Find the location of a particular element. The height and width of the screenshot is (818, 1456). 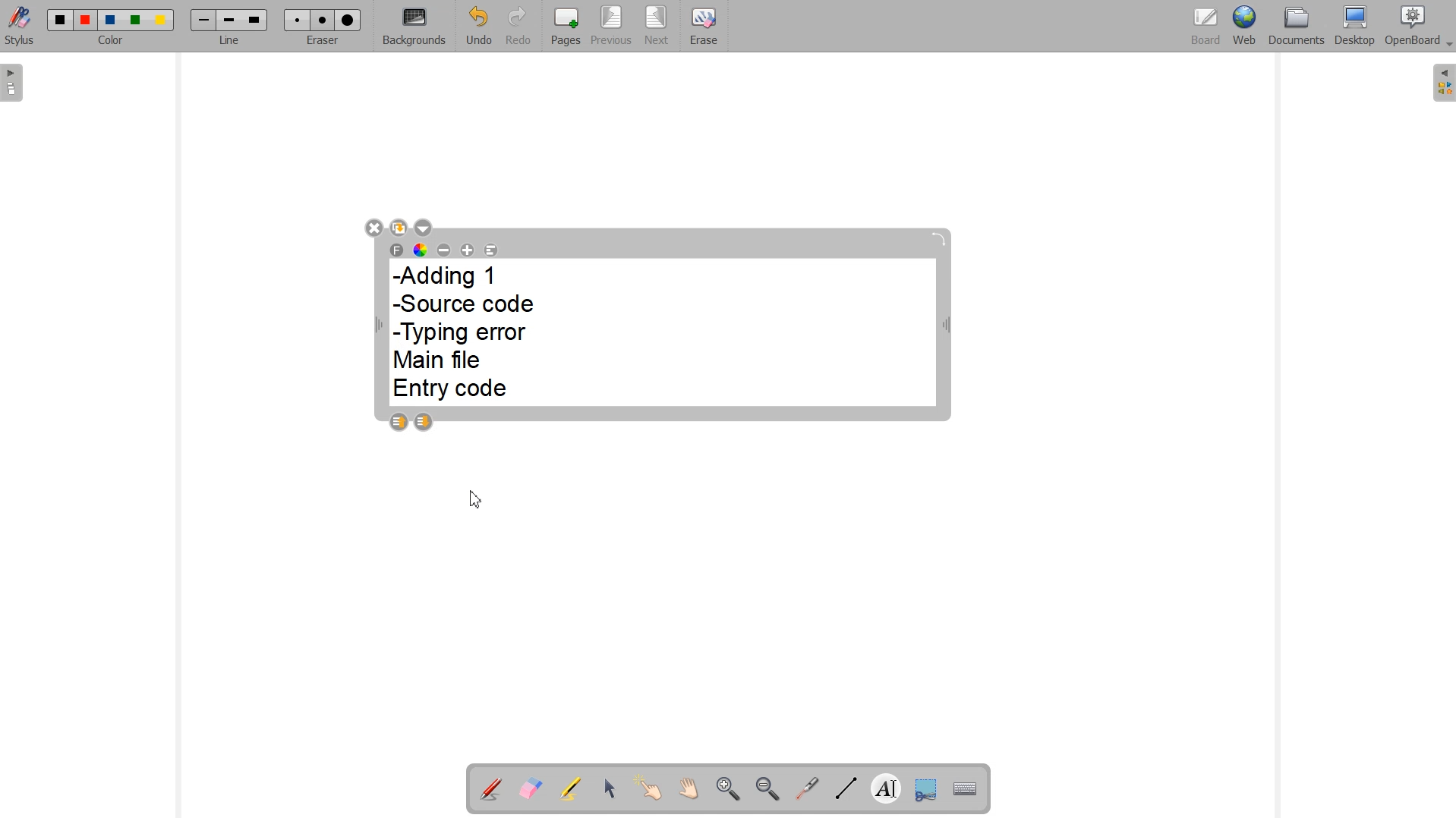

Color is located at coordinates (113, 42).